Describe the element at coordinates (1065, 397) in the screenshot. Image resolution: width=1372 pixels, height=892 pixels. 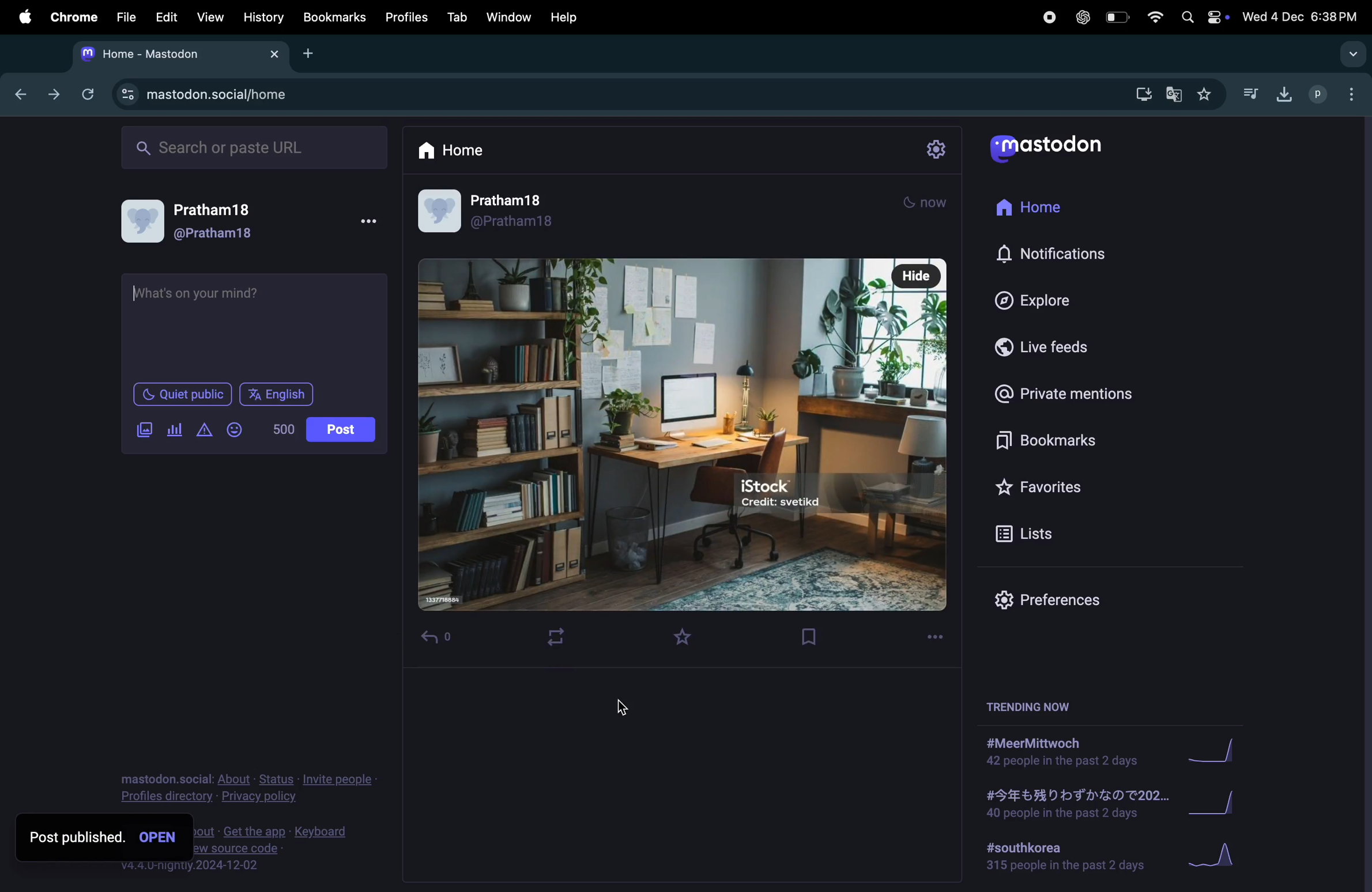
I see `private mentions` at that location.